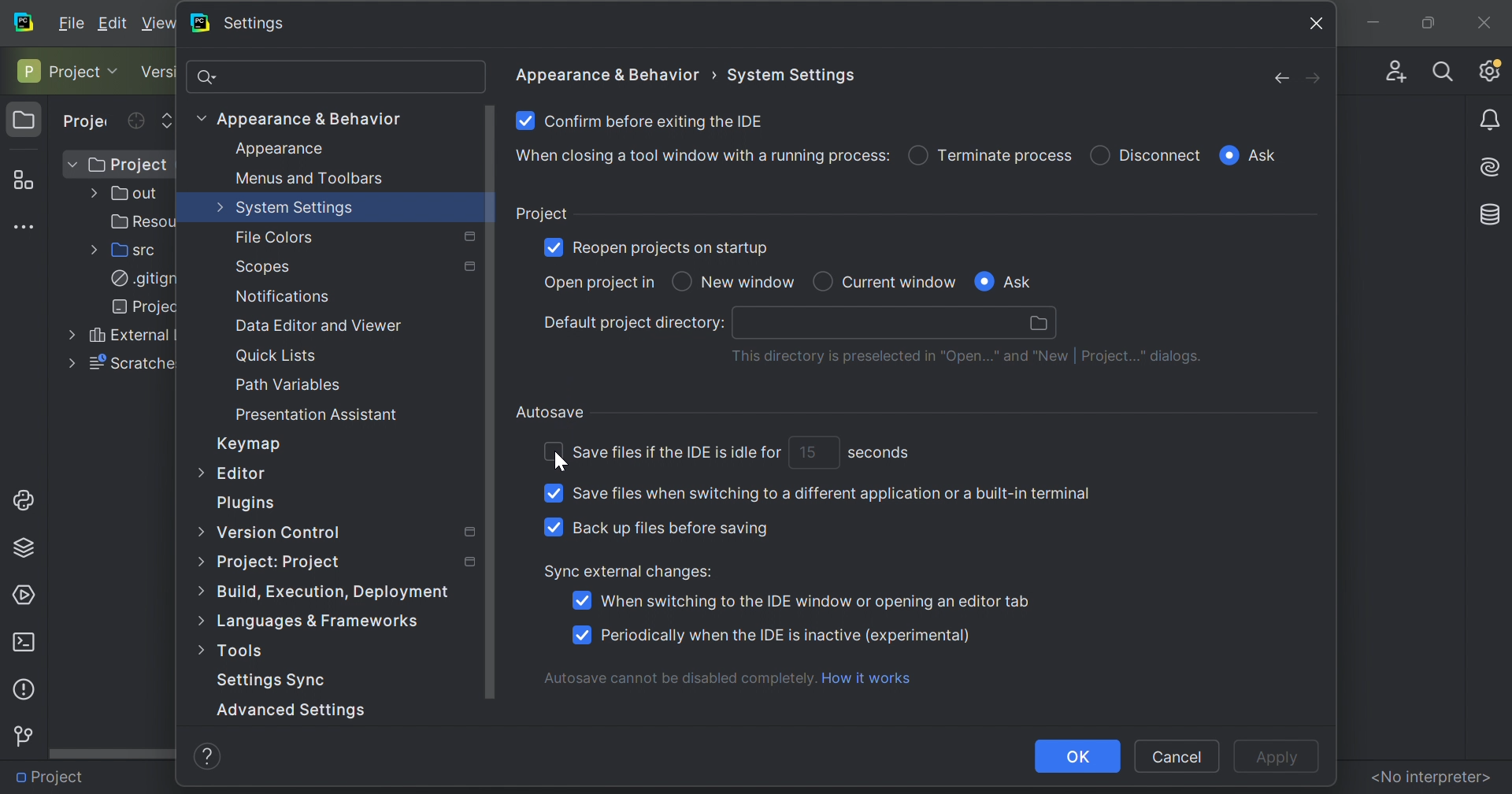 The width and height of the screenshot is (1512, 794). I want to click on System settings, so click(793, 72).